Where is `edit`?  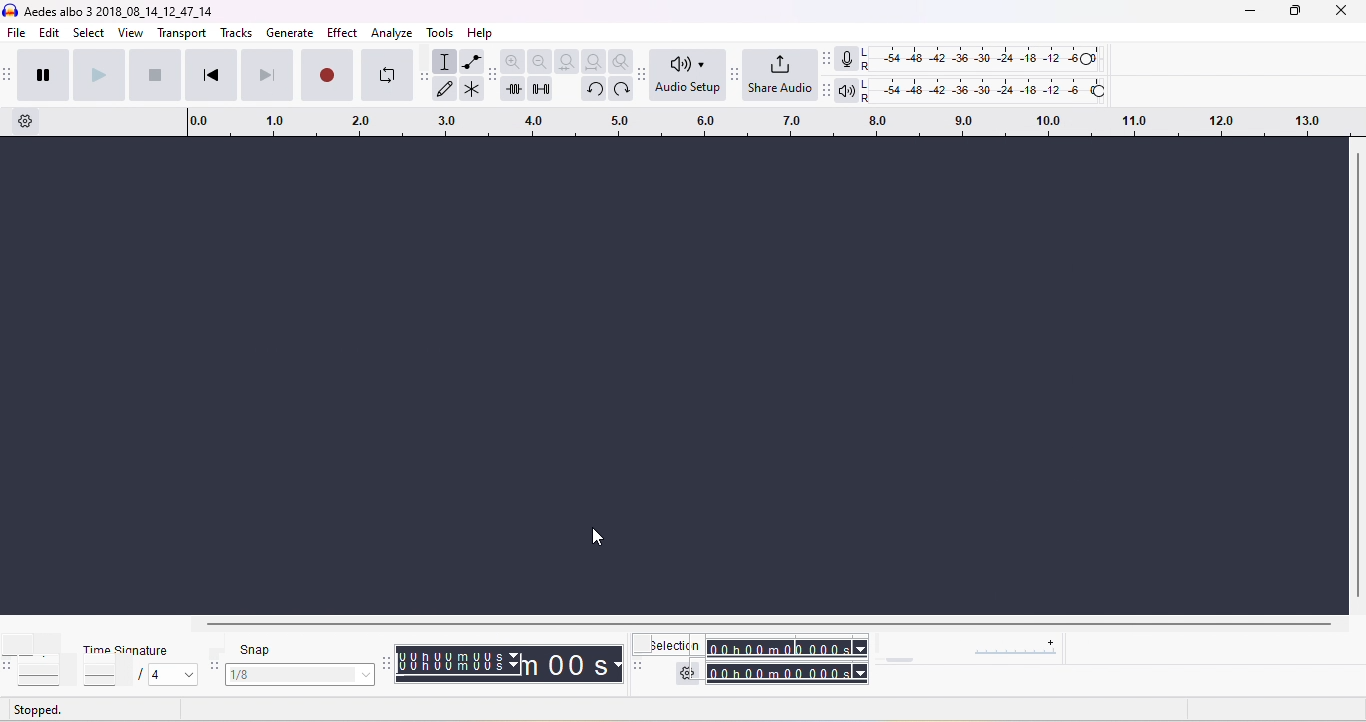
edit is located at coordinates (51, 34).